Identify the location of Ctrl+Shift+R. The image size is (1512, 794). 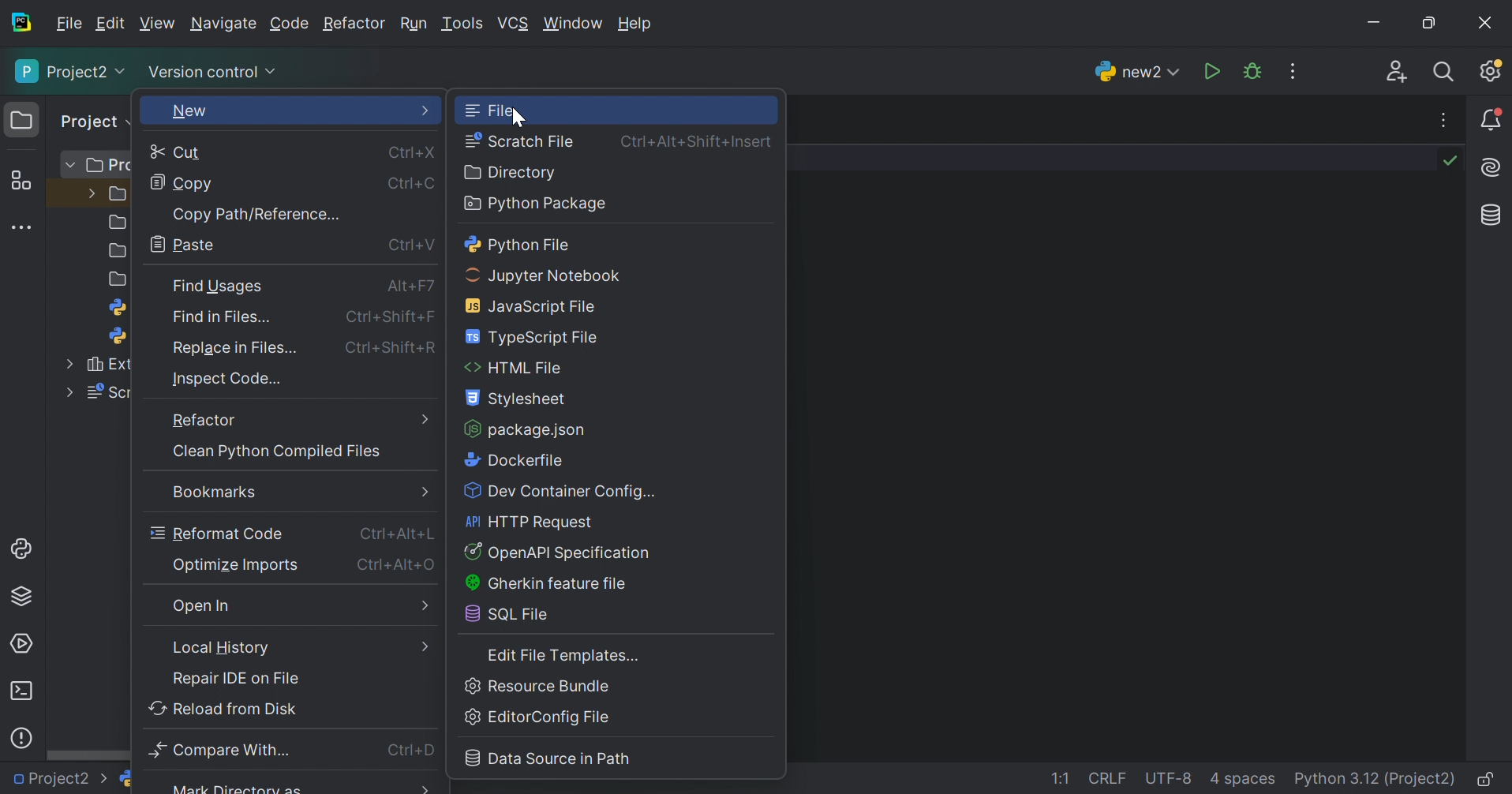
(395, 350).